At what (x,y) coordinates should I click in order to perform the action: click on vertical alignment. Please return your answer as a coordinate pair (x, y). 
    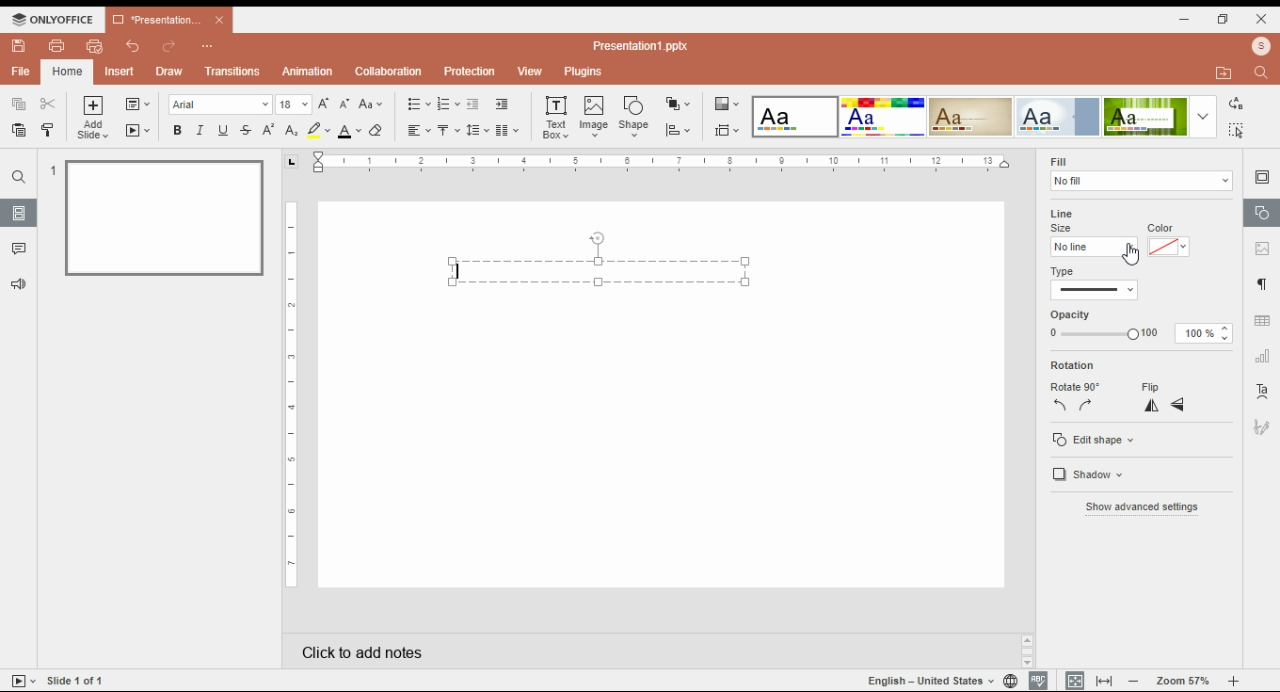
    Looking at the image, I should click on (448, 131).